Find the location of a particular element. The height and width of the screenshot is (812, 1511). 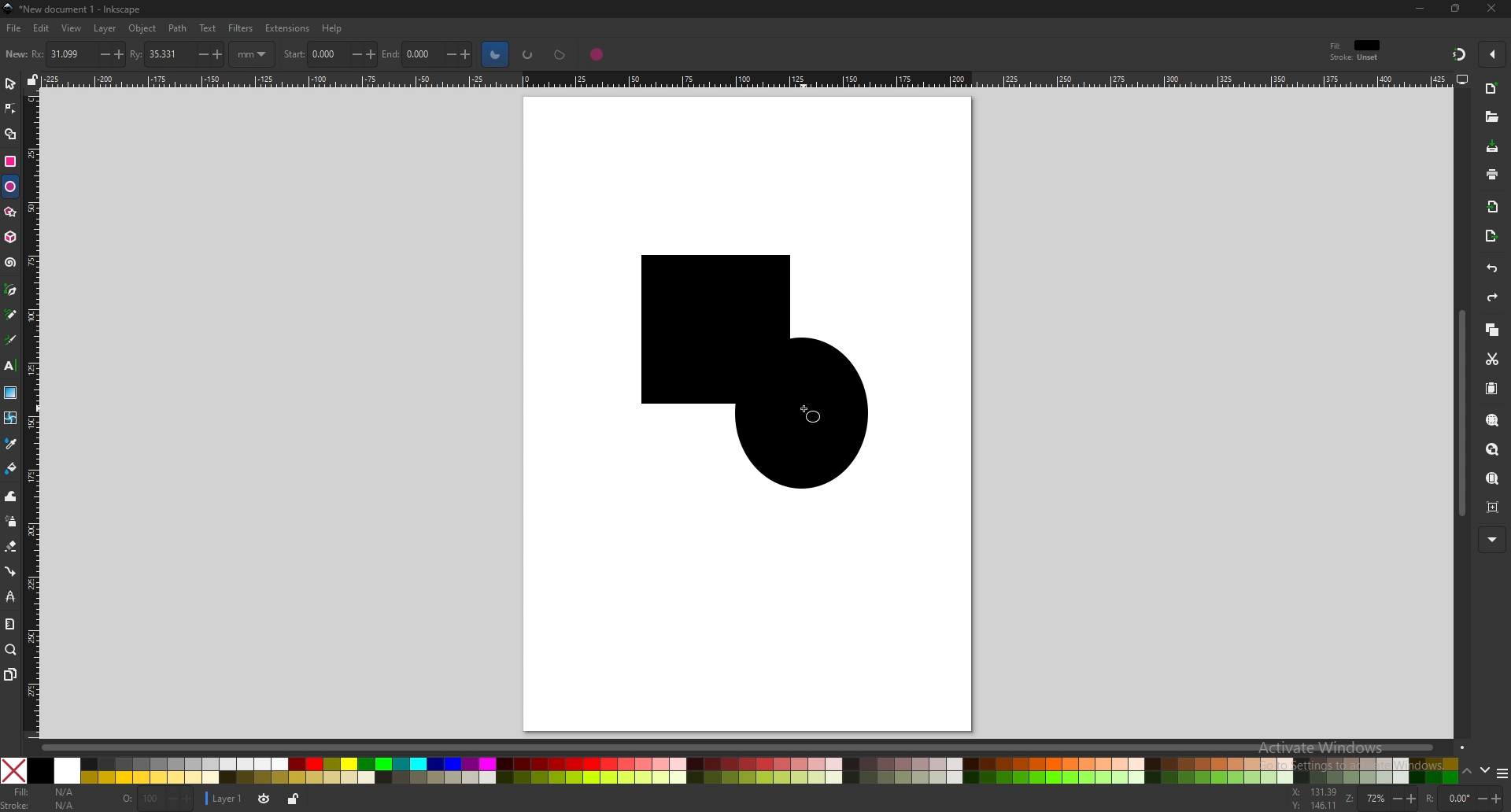

toggle is located at coordinates (264, 799).